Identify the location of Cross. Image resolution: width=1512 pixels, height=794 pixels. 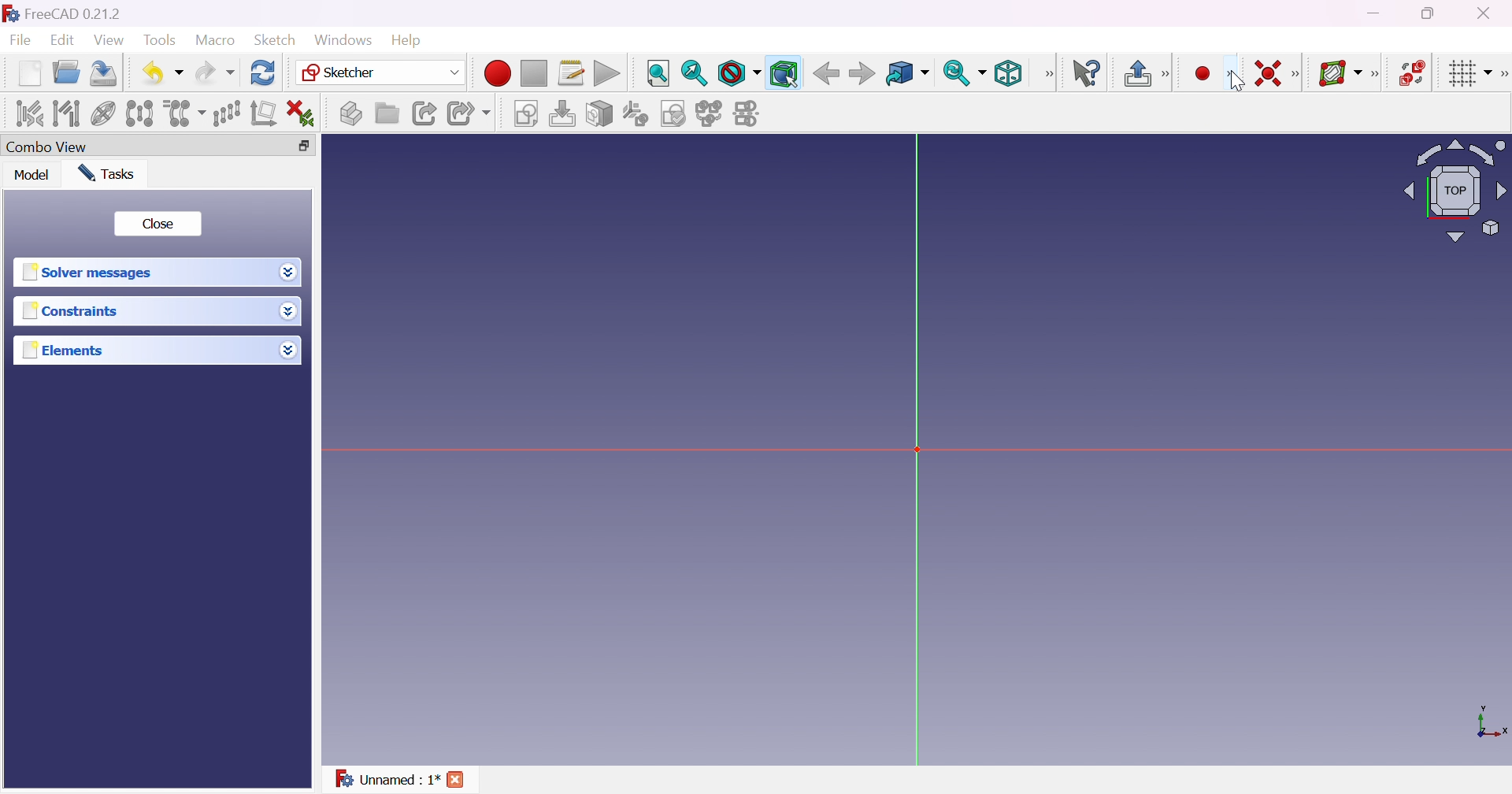
(454, 779).